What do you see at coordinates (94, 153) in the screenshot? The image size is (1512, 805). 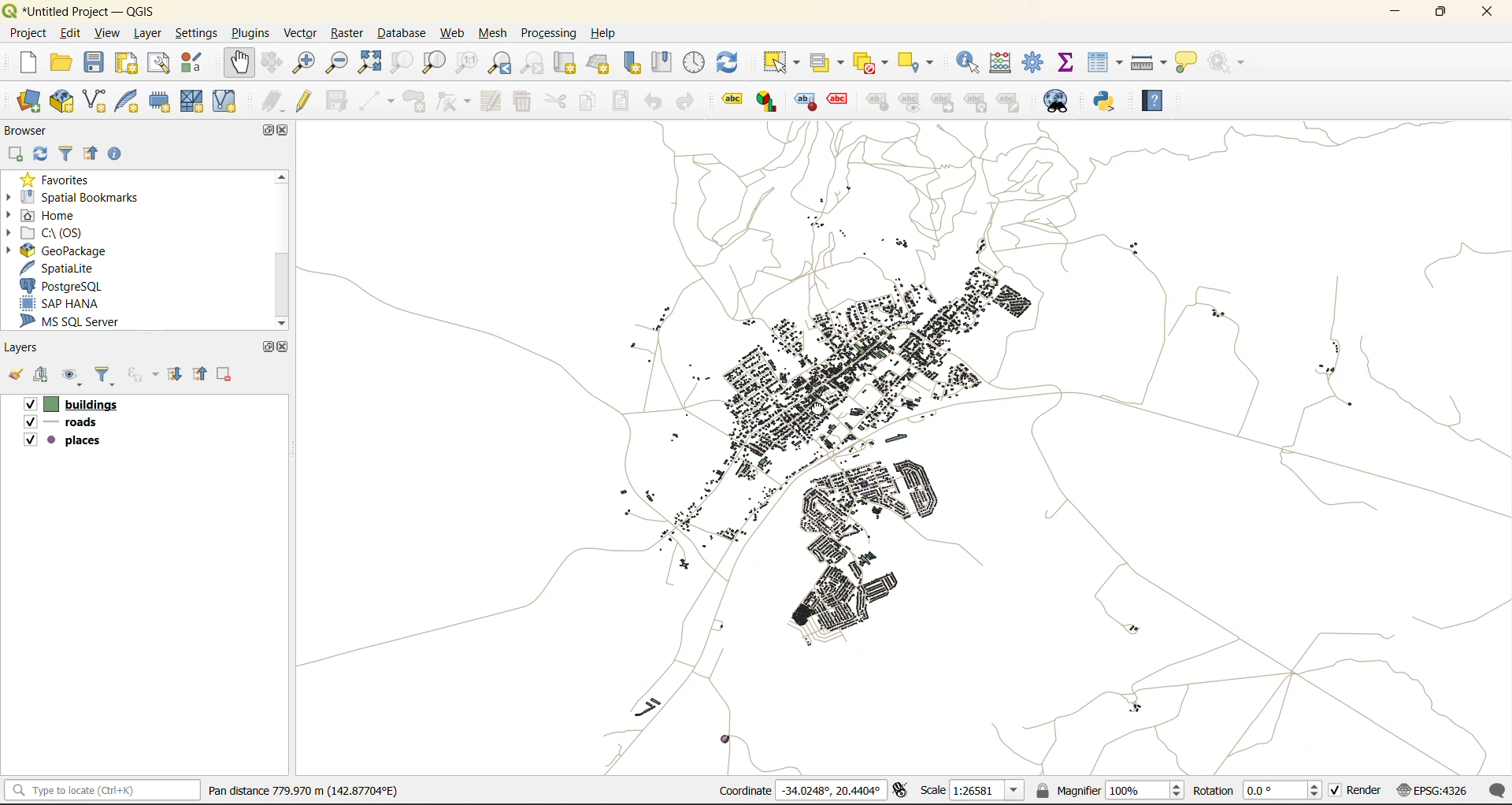 I see `collapse all` at bounding box center [94, 153].